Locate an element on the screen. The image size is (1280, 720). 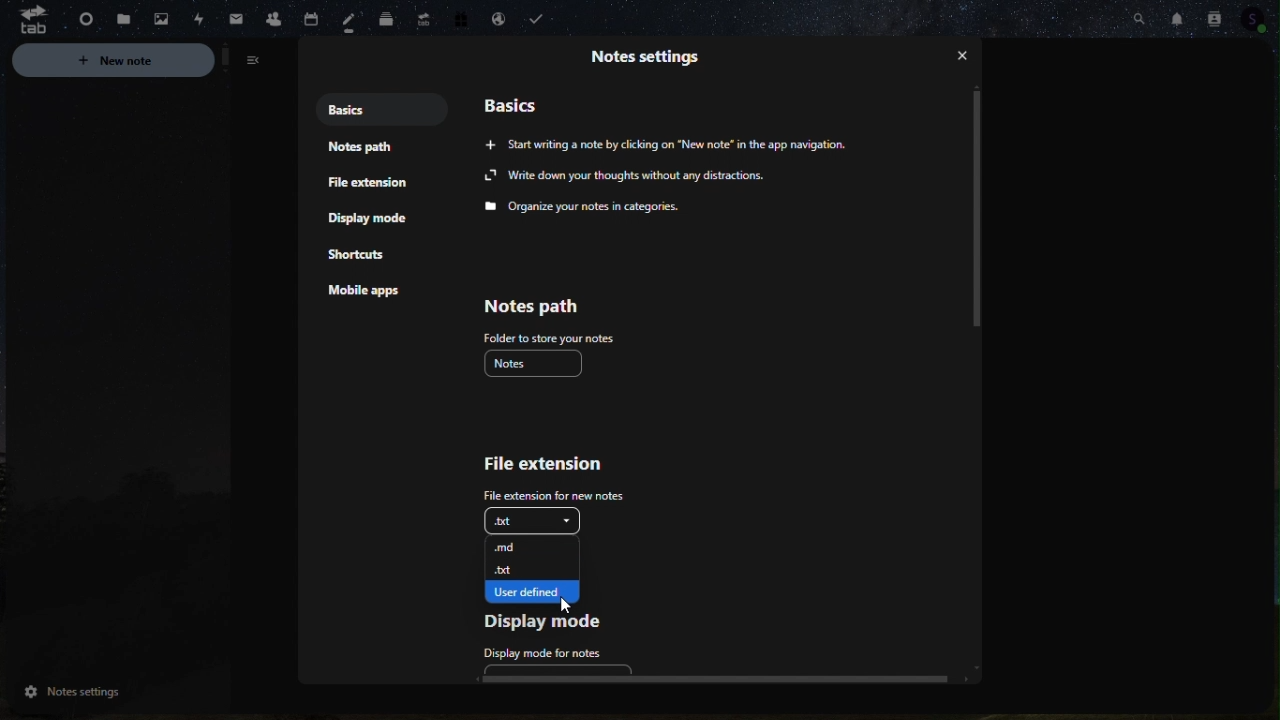
notes path is located at coordinates (357, 149).